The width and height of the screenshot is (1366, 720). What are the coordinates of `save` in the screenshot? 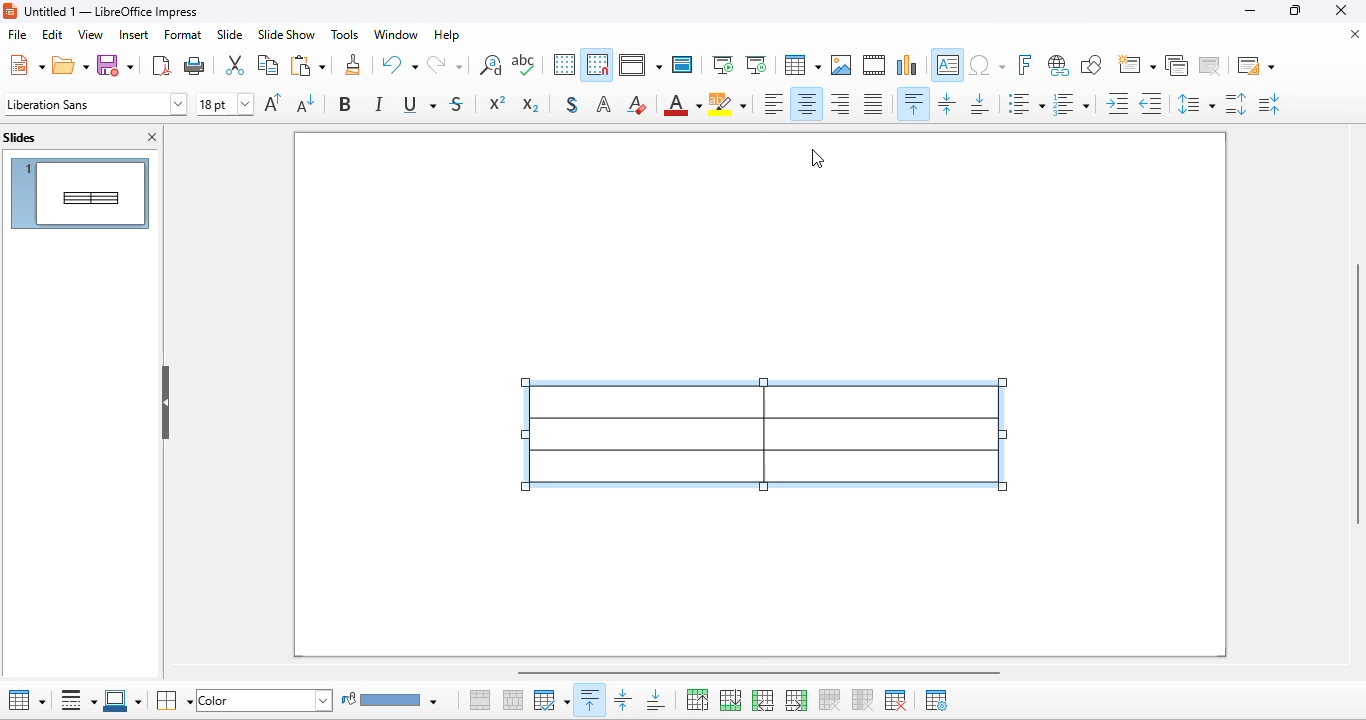 It's located at (115, 64).